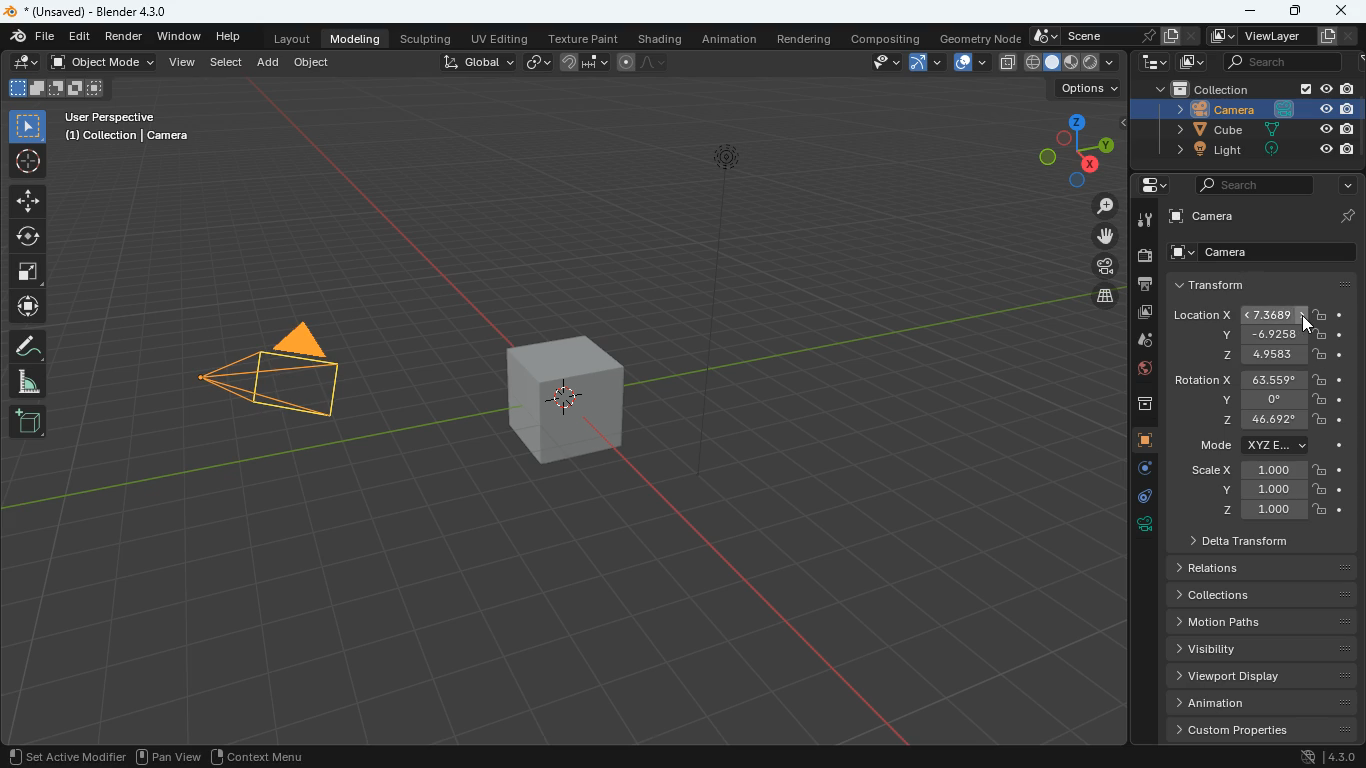 The width and height of the screenshot is (1366, 768). What do you see at coordinates (1270, 490) in the screenshot?
I see `y` at bounding box center [1270, 490].